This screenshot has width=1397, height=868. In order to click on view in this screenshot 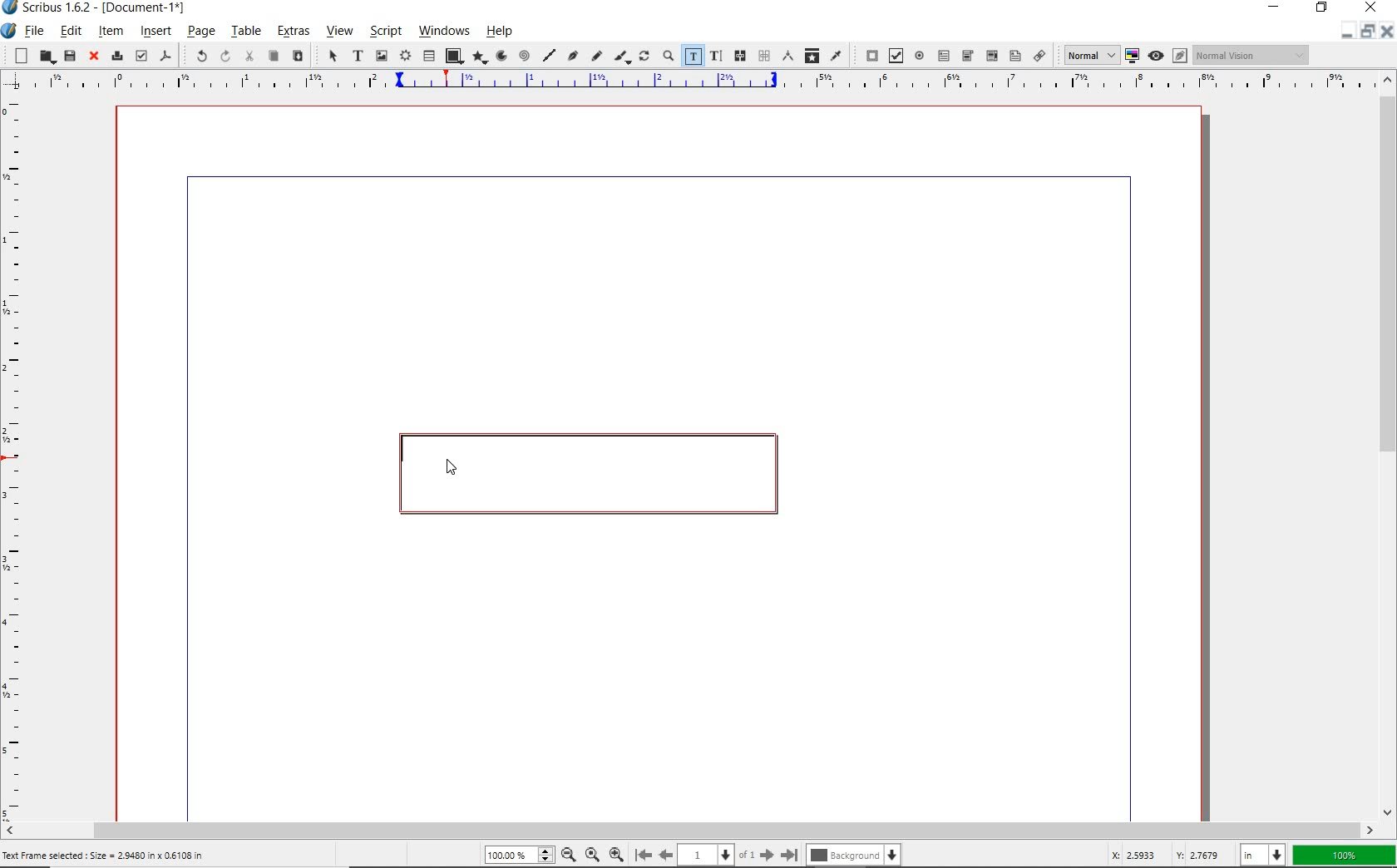, I will do `click(338, 33)`.